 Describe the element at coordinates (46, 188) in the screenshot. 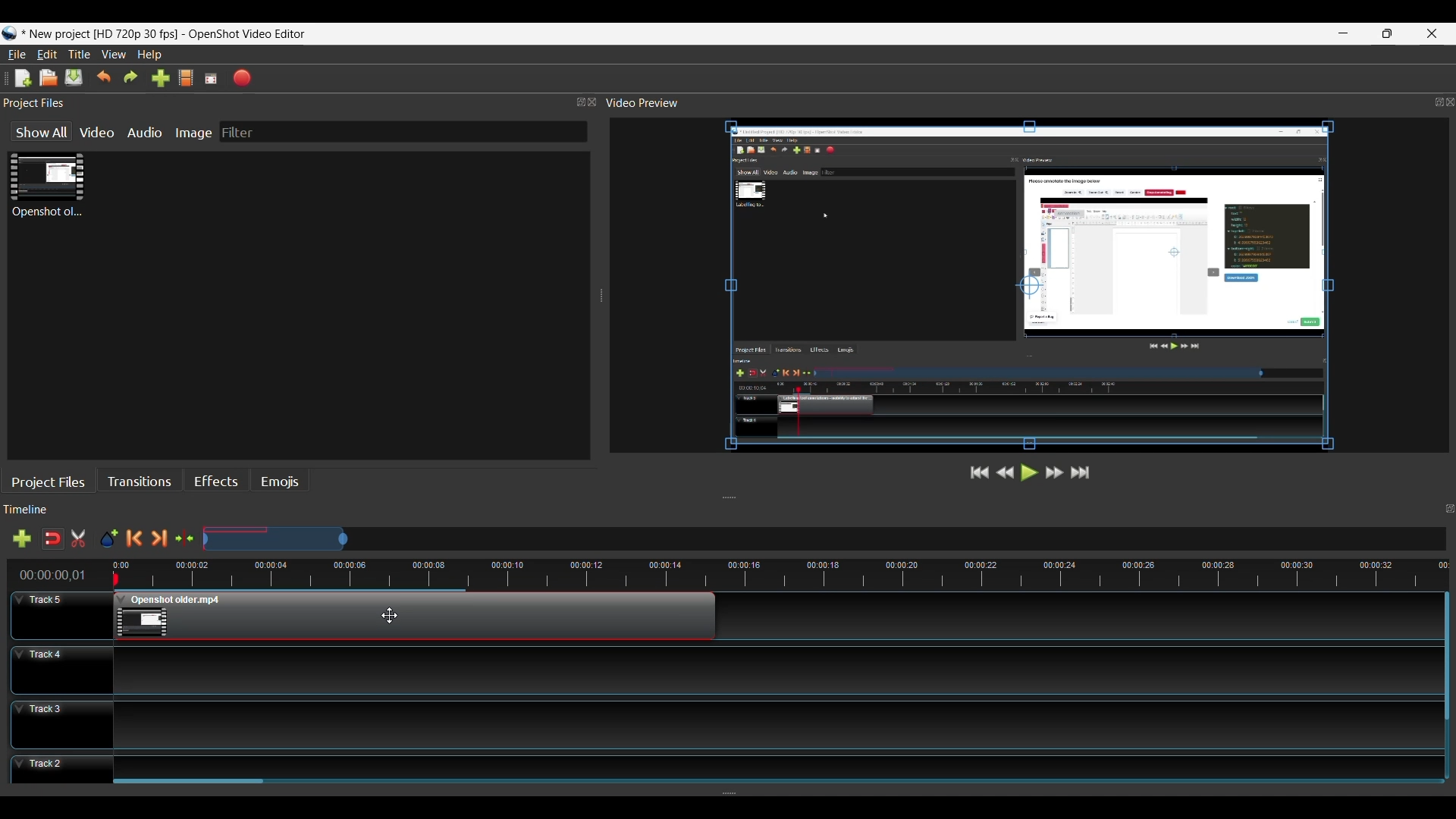

I see `Clip` at that location.